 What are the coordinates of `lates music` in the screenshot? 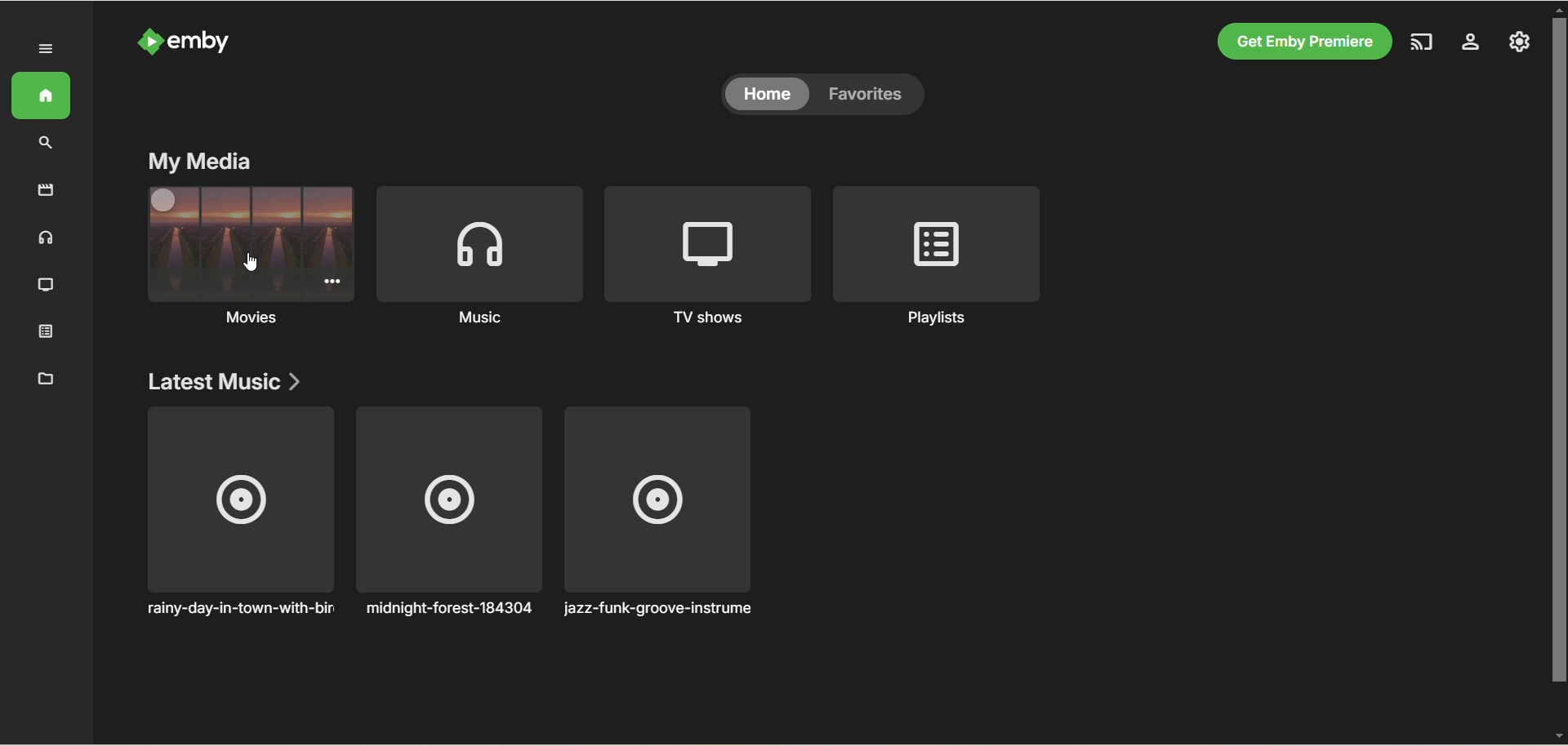 It's located at (228, 380).